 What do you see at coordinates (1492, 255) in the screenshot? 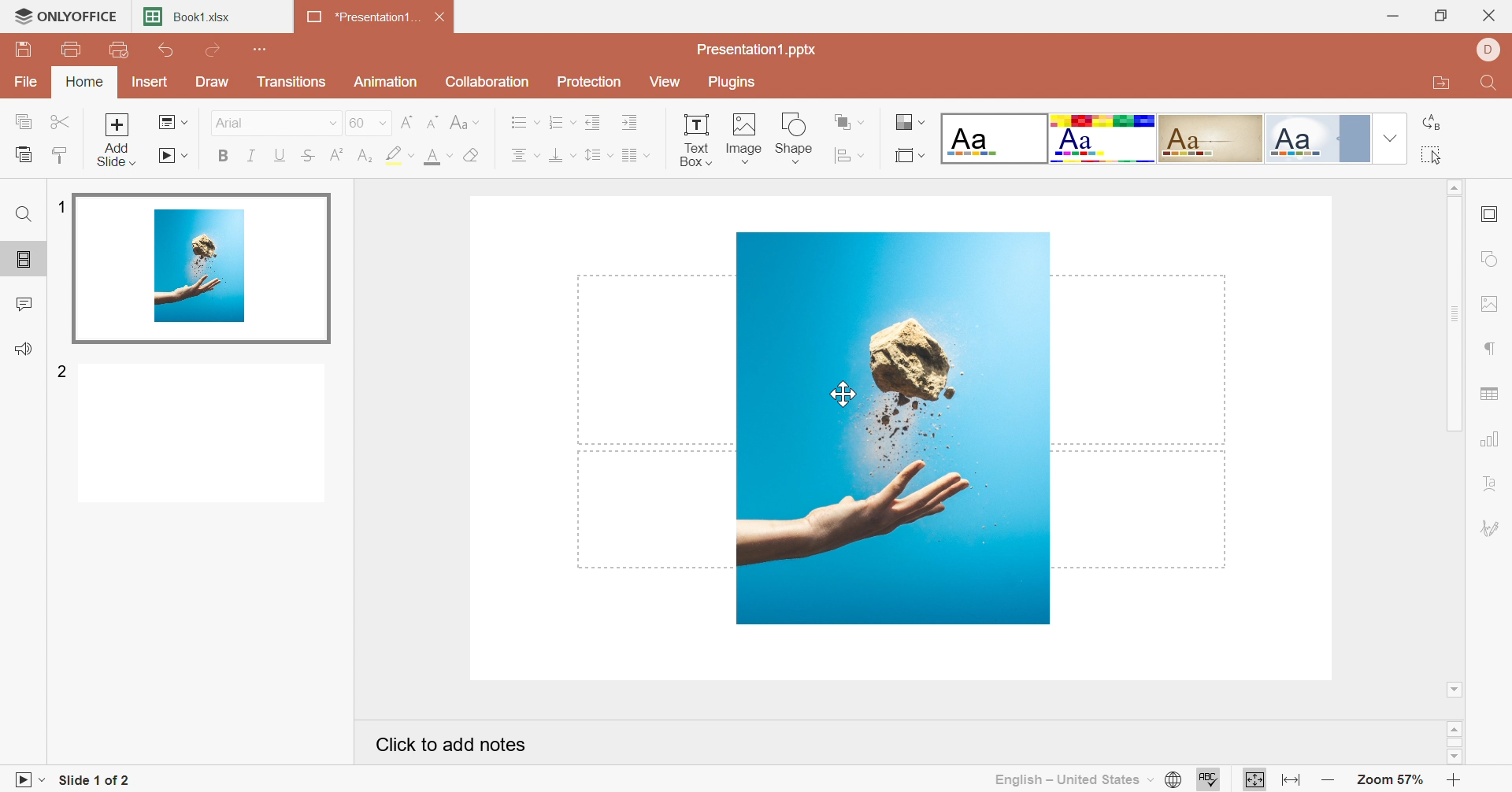
I see `shape settings` at bounding box center [1492, 255].